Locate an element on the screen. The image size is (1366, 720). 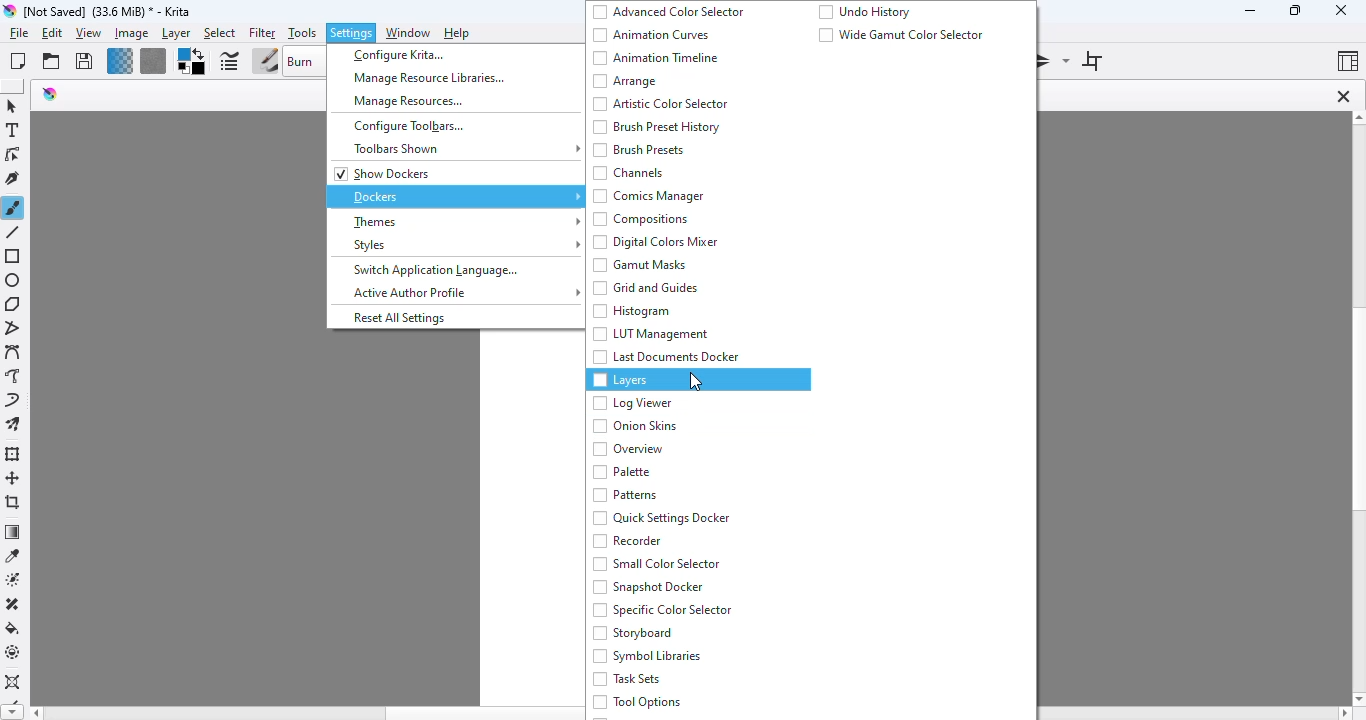
digital colors mixer is located at coordinates (657, 242).